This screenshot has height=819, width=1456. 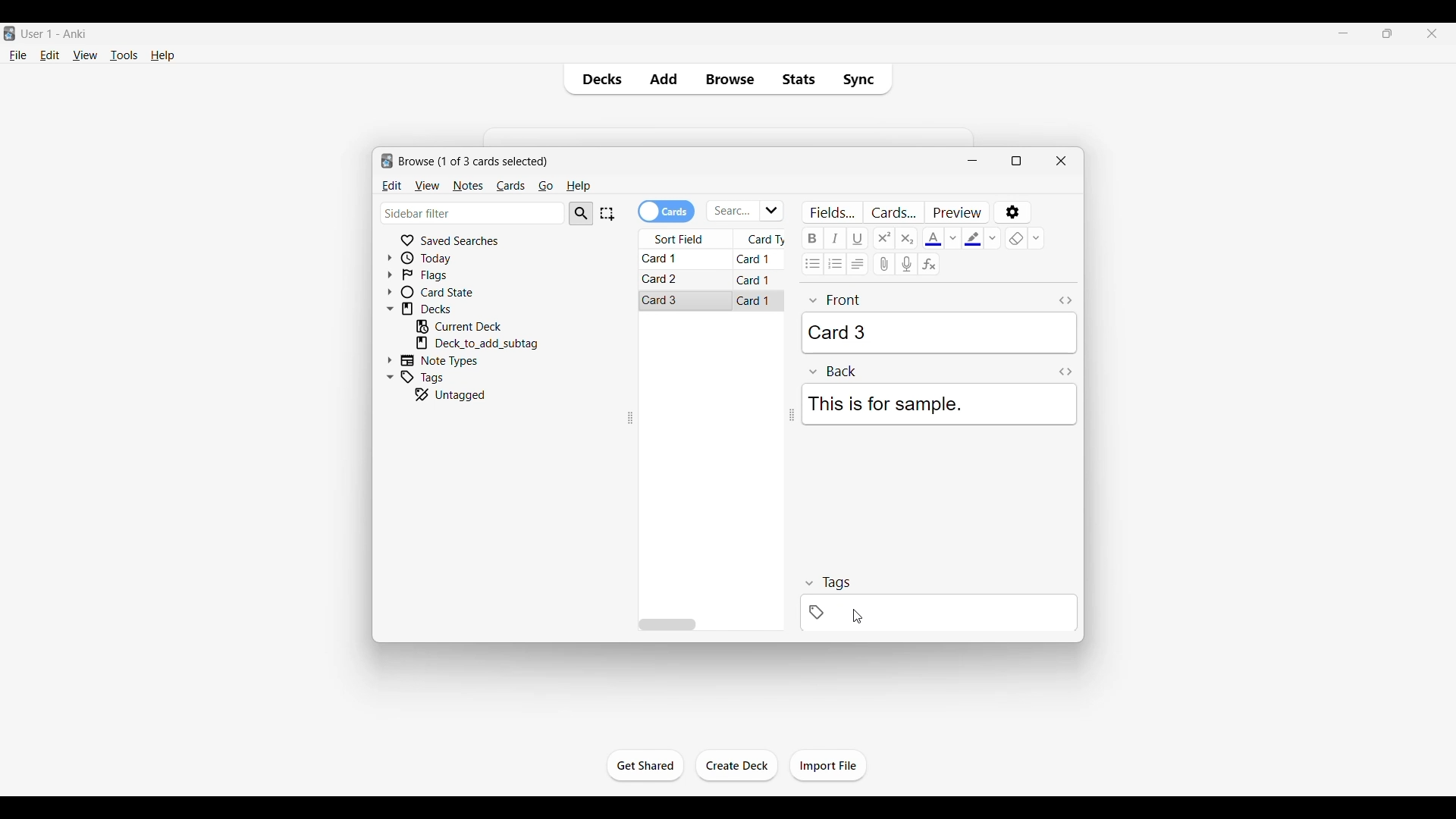 I want to click on Card 3, so click(x=939, y=333).